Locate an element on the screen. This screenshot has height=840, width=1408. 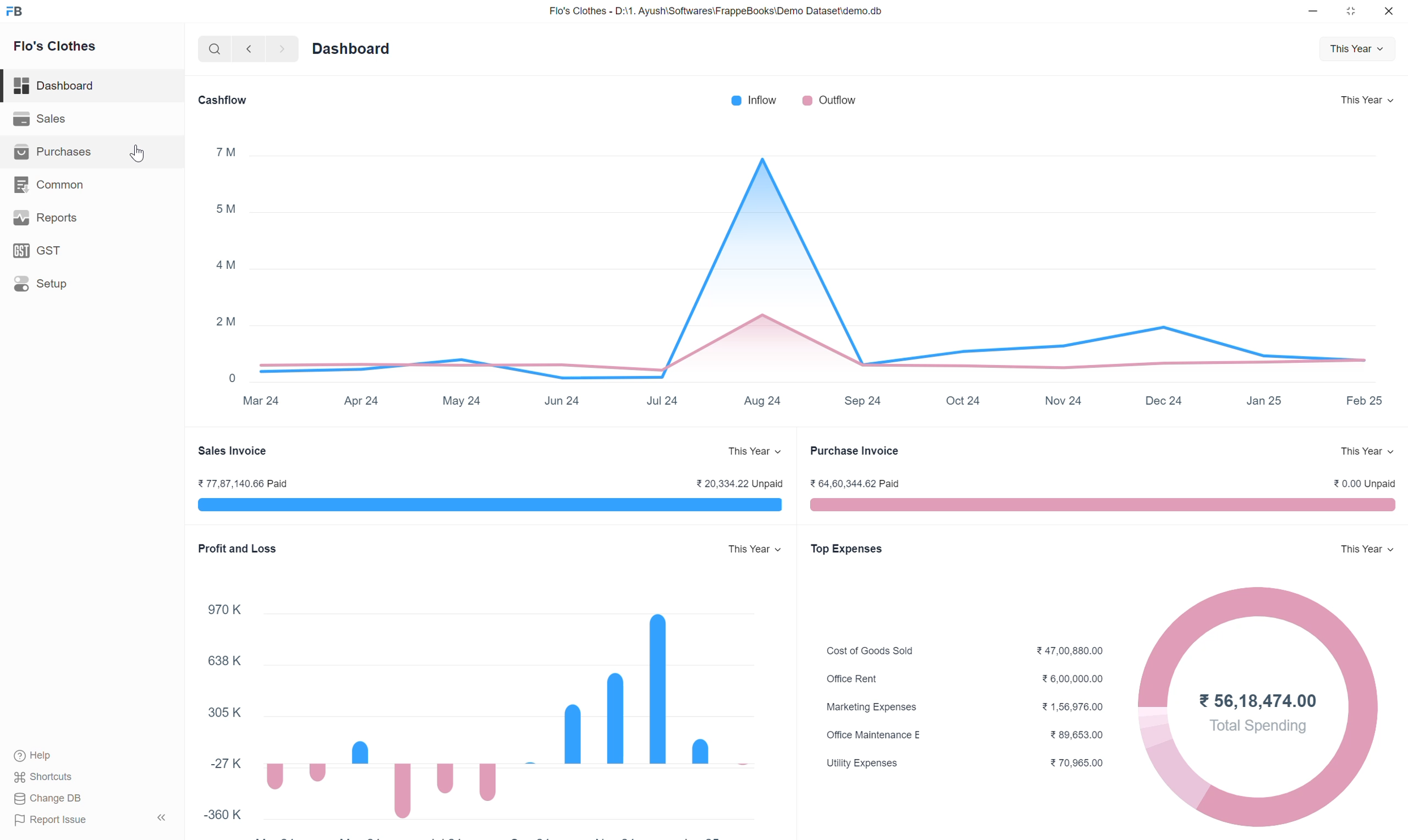
70,965.00 is located at coordinates (1079, 762).